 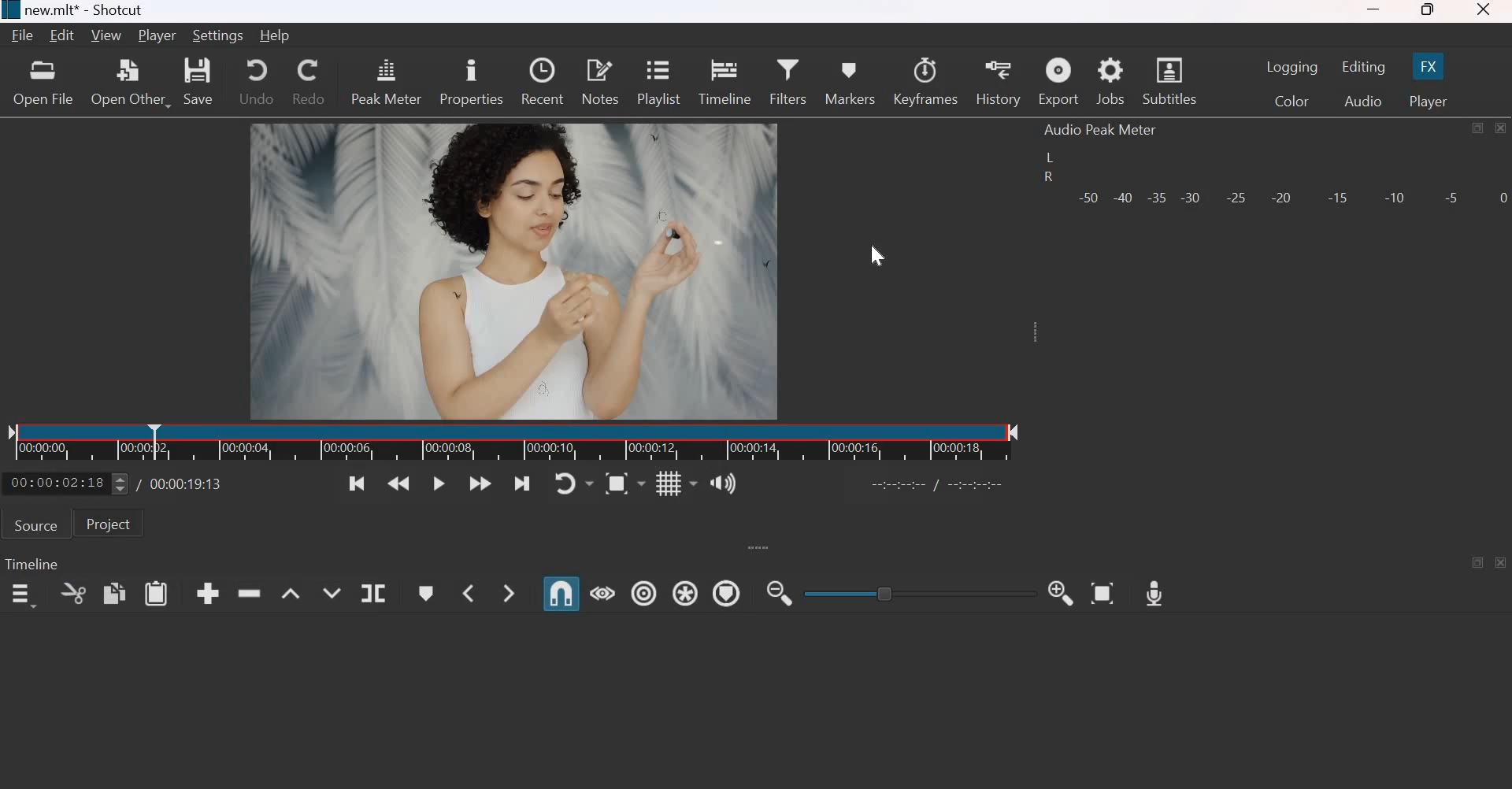 I want to click on maximize, so click(x=1478, y=128).